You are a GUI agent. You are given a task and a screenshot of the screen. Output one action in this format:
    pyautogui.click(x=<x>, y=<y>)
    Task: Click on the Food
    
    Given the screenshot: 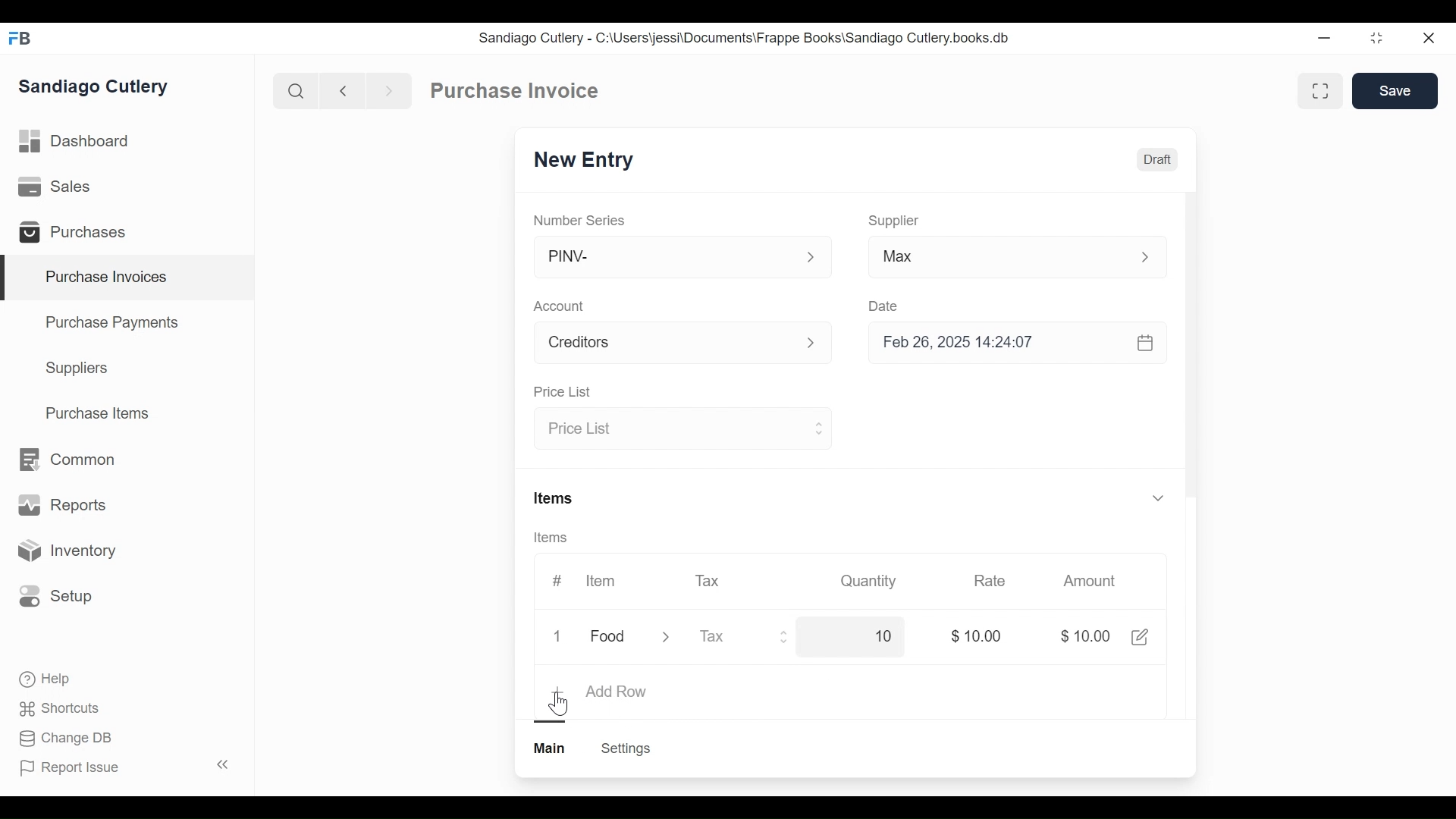 What is the action you would take?
    pyautogui.click(x=610, y=638)
    